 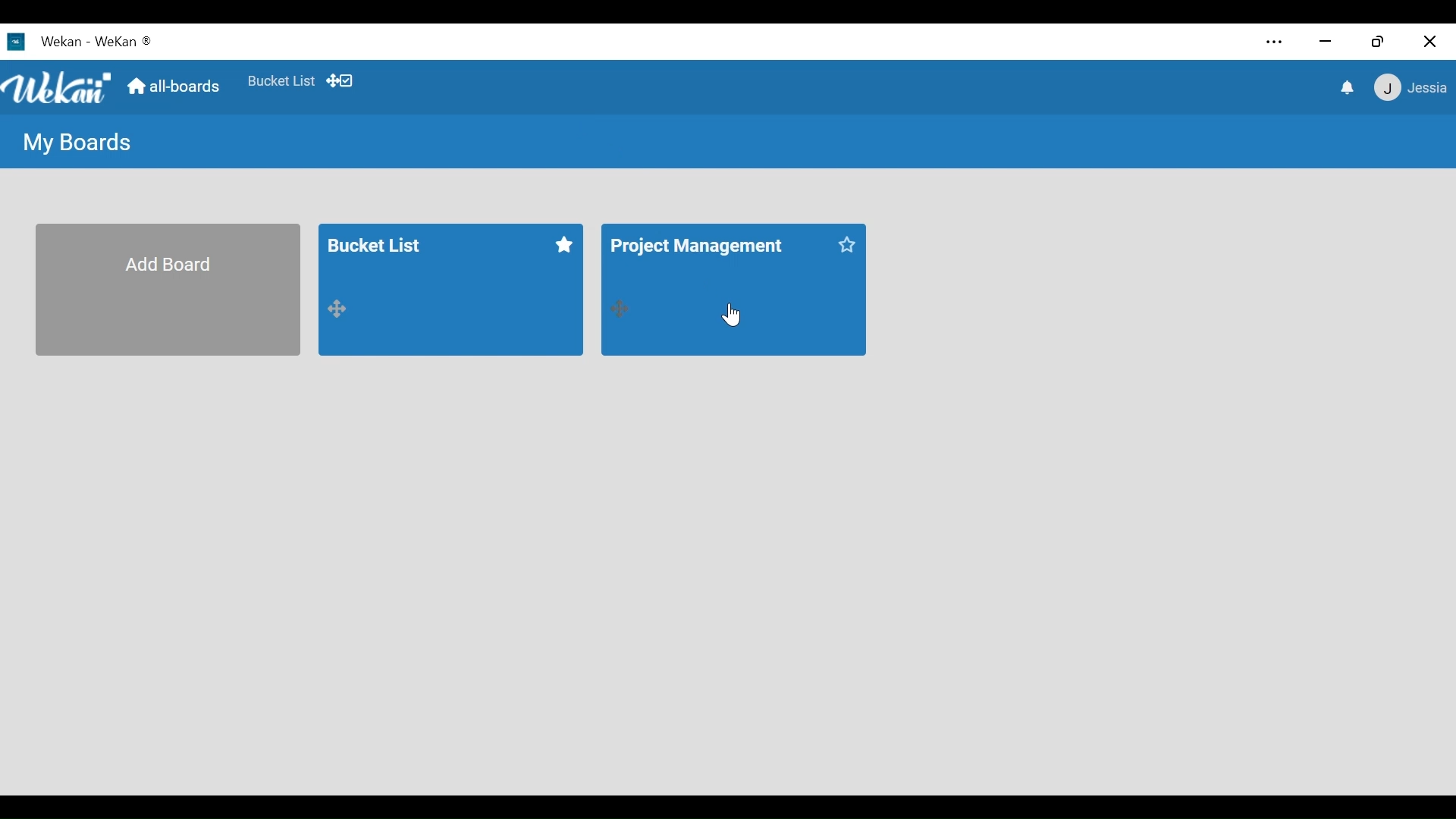 What do you see at coordinates (1325, 41) in the screenshot?
I see `minimize` at bounding box center [1325, 41].